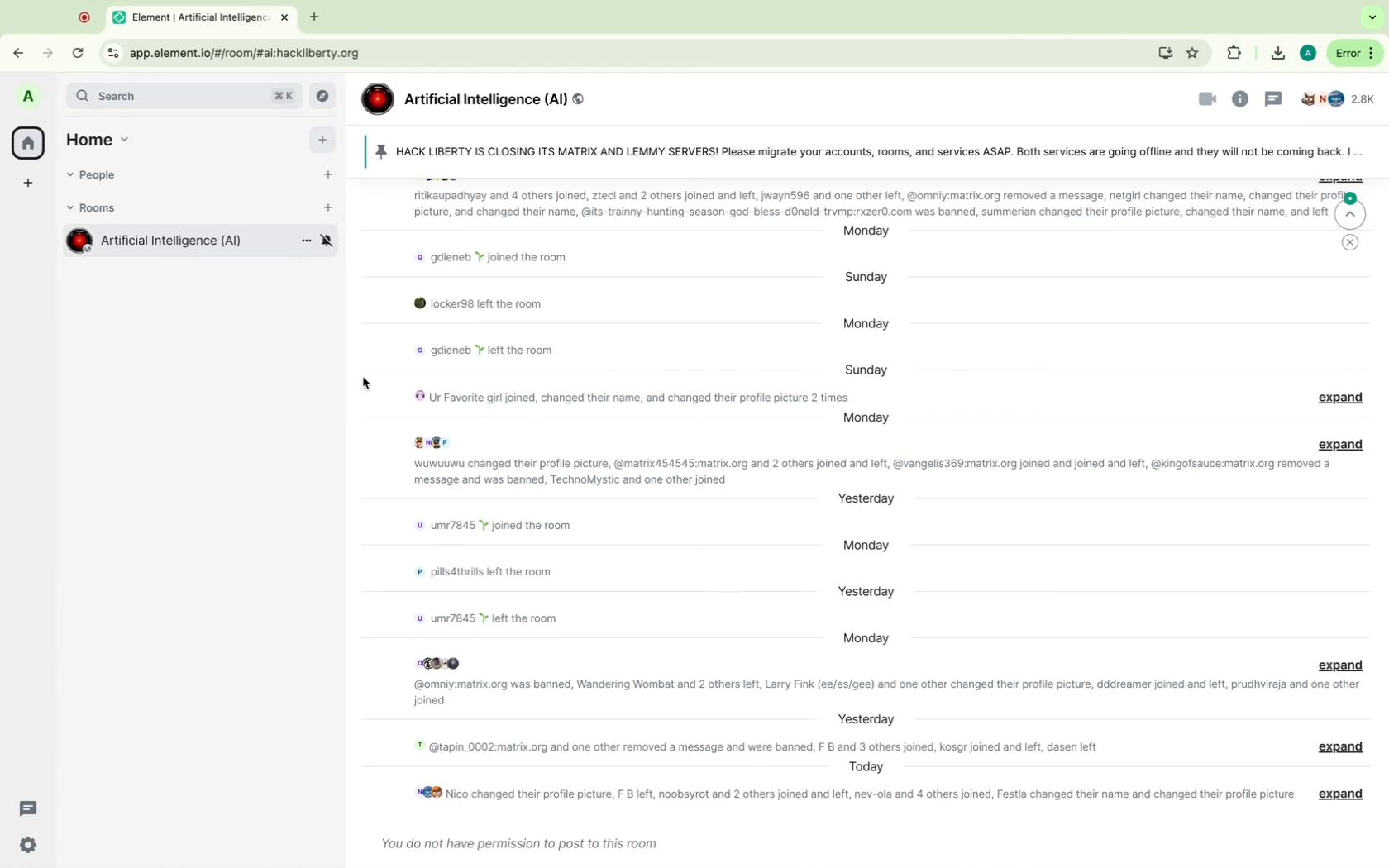 Image resolution: width=1389 pixels, height=868 pixels. Describe the element at coordinates (474, 305) in the screenshot. I see `message` at that location.